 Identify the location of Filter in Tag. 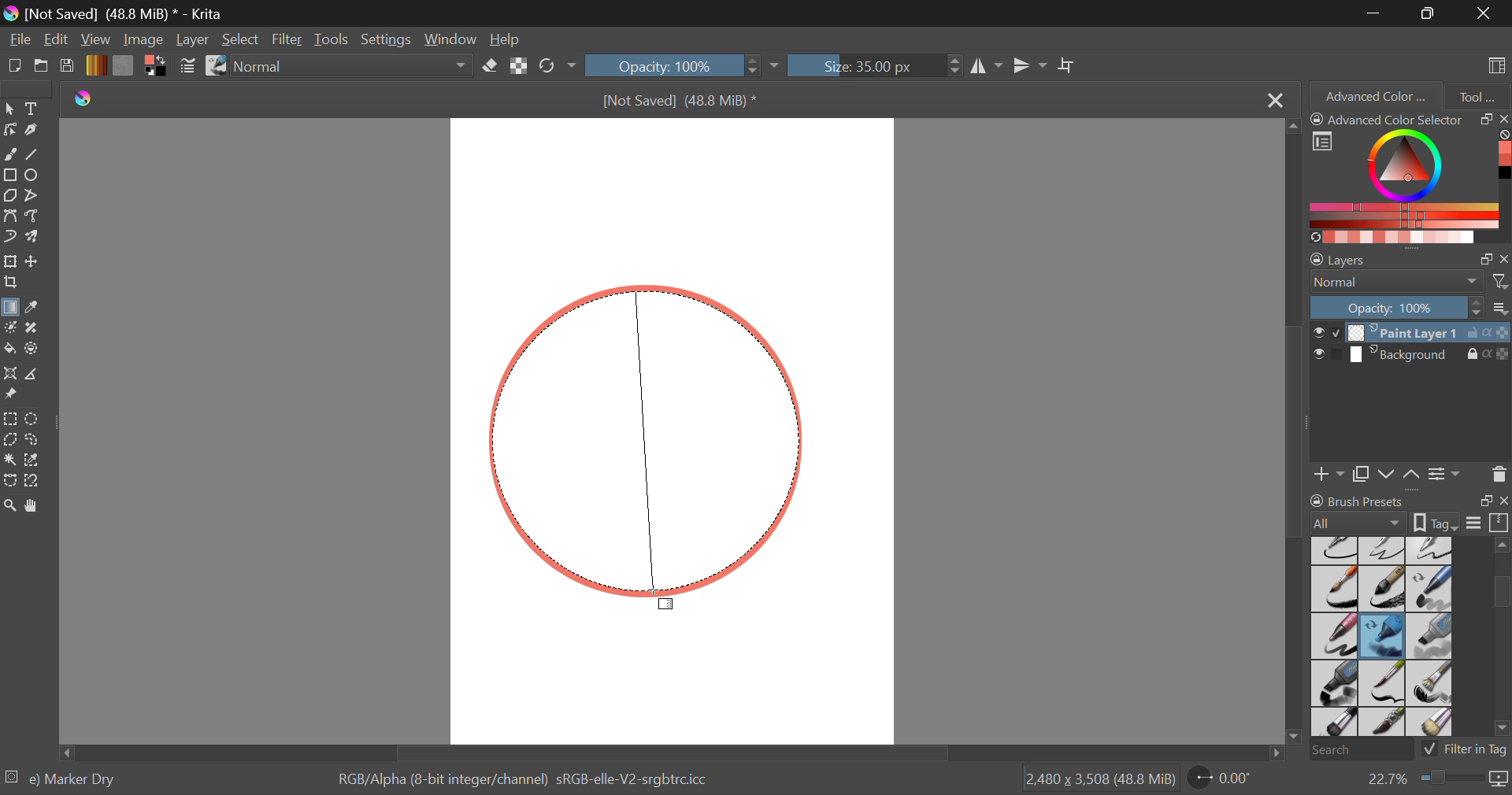
(1466, 748).